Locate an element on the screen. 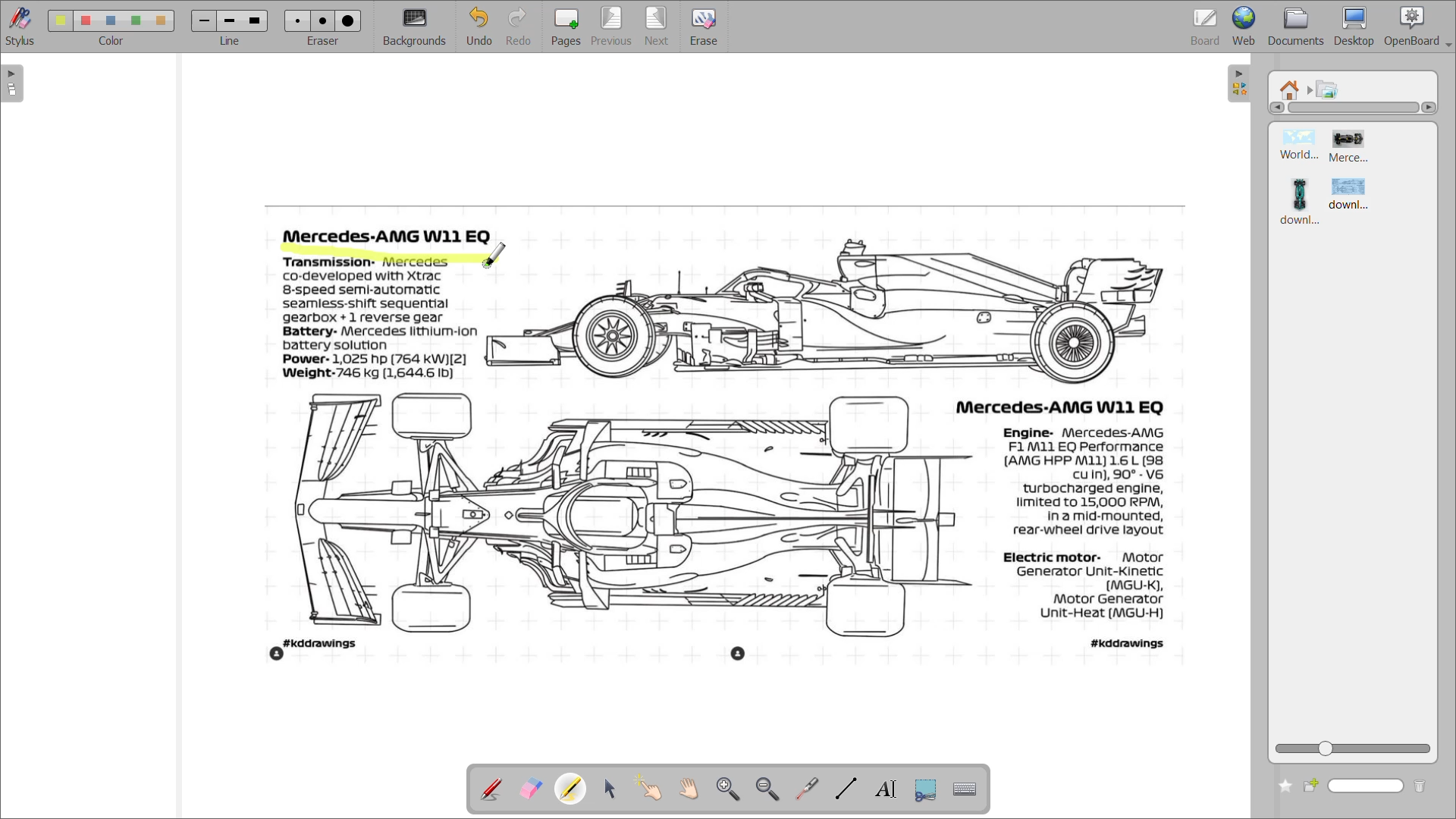 This screenshot has width=1456, height=819. stylus is located at coordinates (20, 27).